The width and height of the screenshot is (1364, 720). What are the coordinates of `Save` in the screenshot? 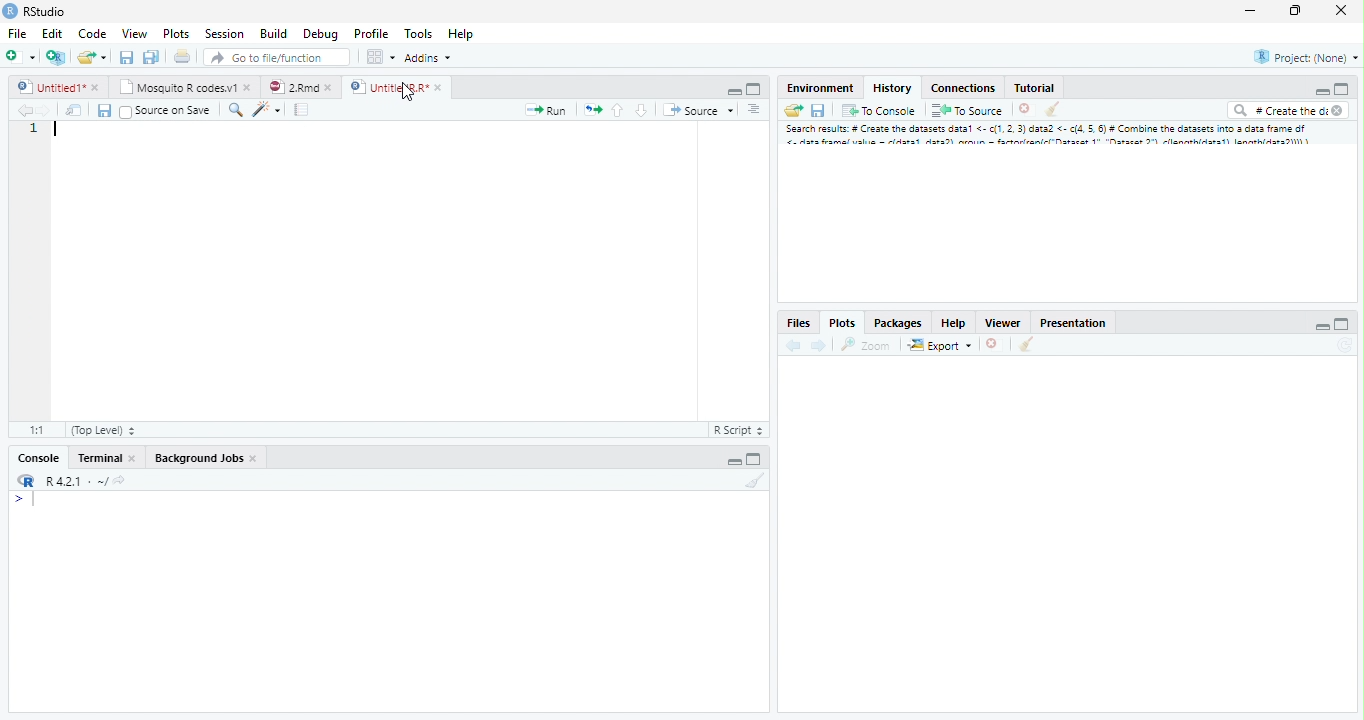 It's located at (104, 111).